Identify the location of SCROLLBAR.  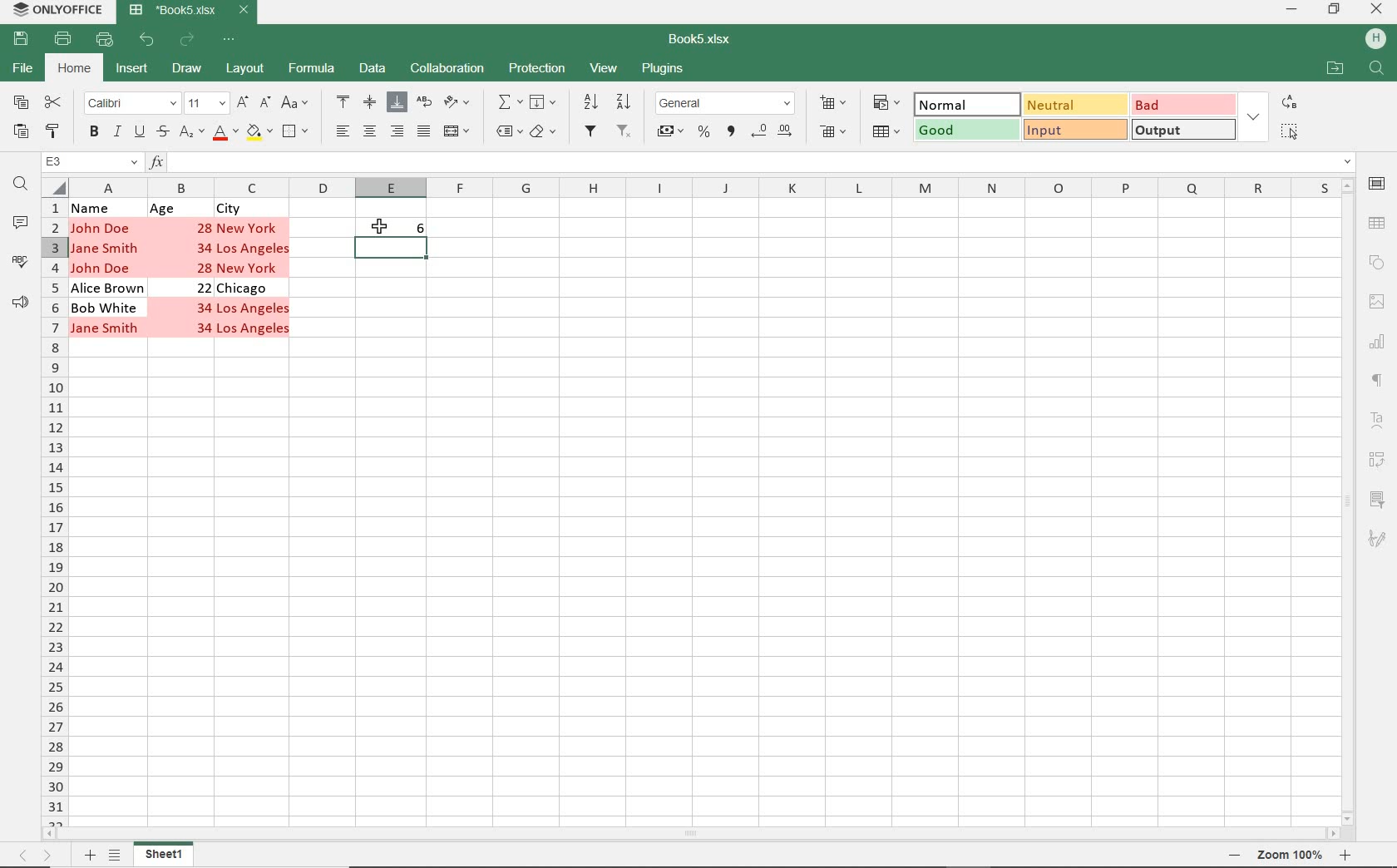
(1346, 503).